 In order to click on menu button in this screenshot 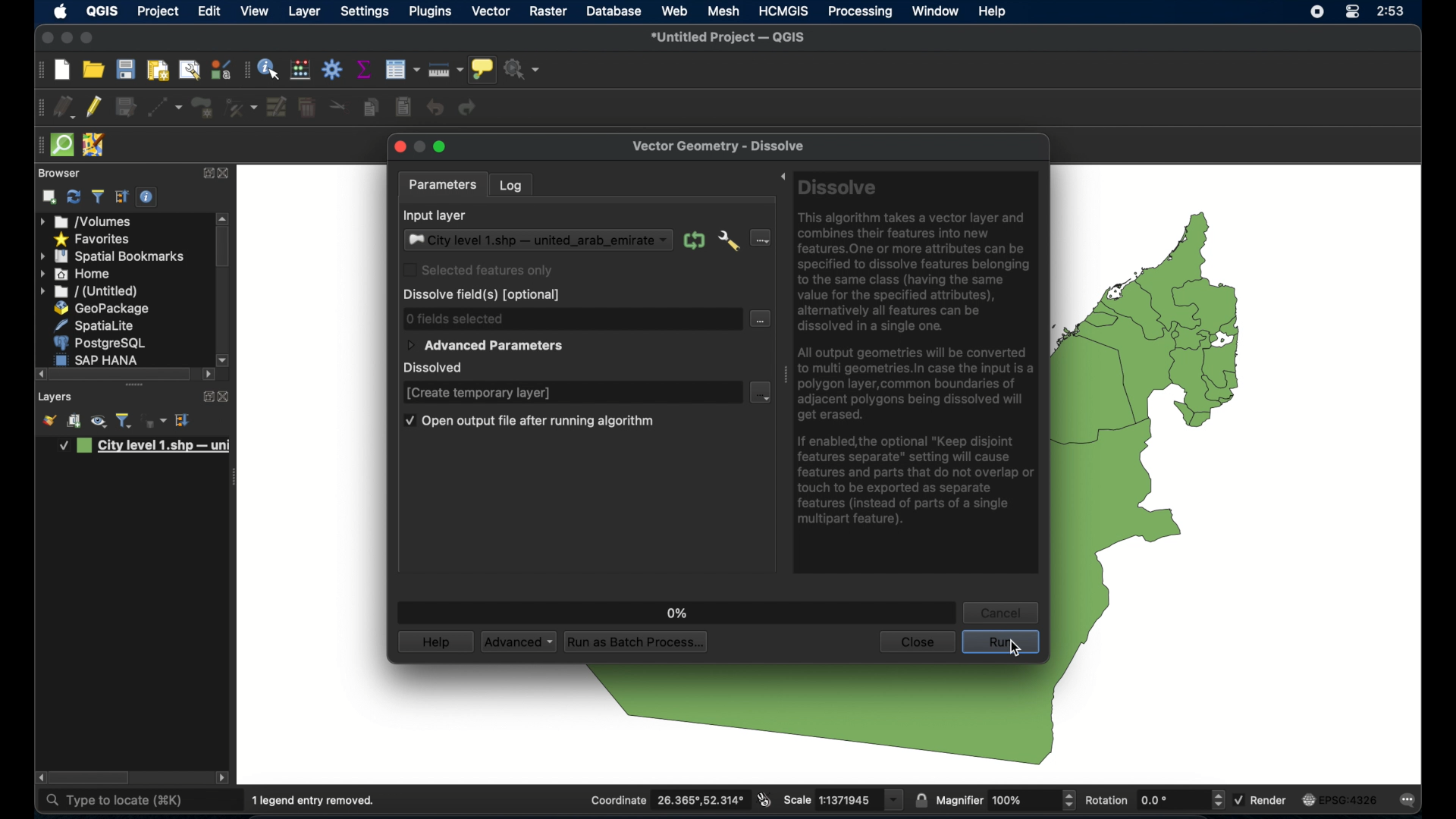, I will do `click(761, 320)`.